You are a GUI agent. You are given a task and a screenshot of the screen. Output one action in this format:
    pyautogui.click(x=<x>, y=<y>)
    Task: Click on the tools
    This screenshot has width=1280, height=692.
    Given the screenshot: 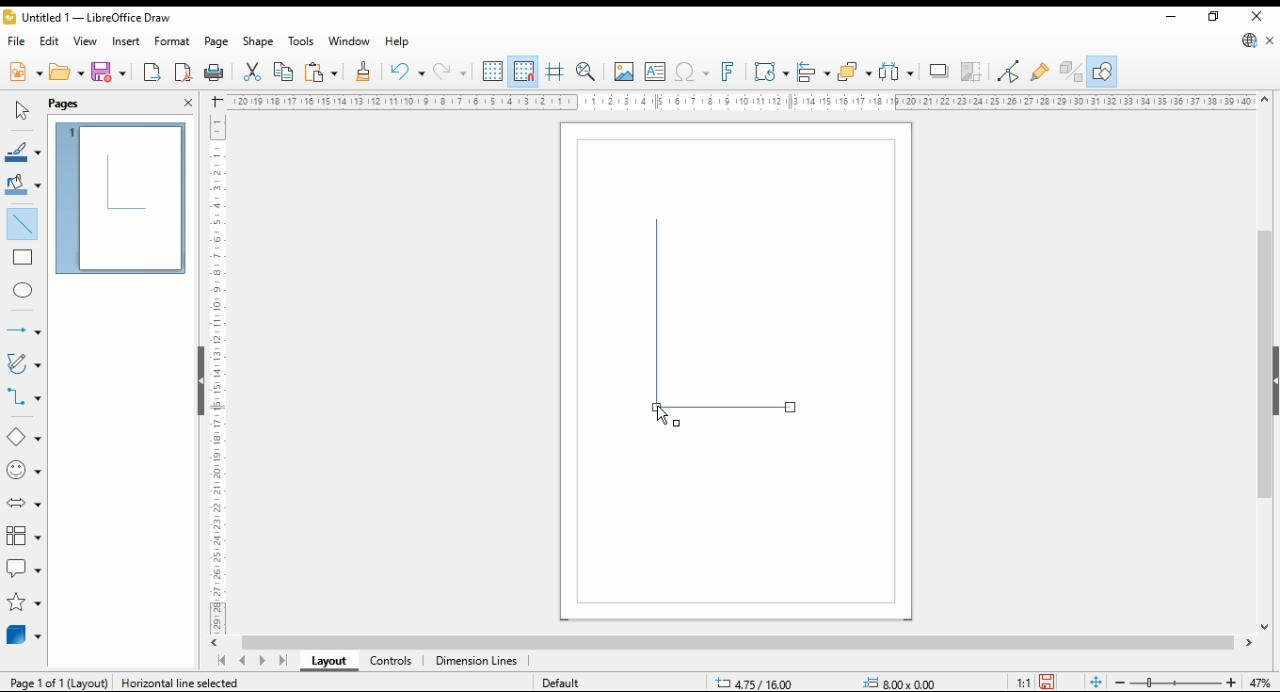 What is the action you would take?
    pyautogui.click(x=302, y=42)
    